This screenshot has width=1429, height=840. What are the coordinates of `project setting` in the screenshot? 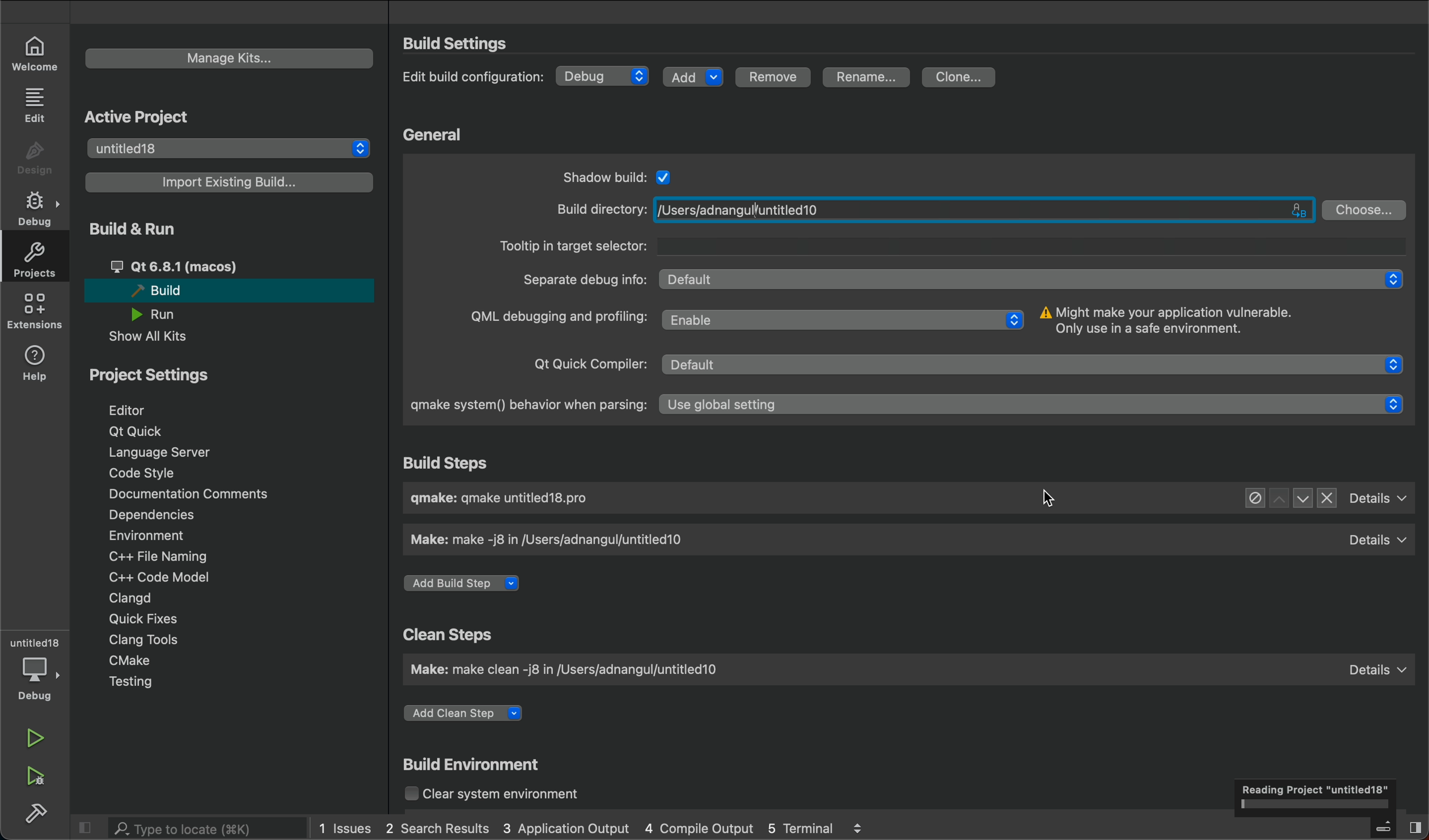 It's located at (151, 376).